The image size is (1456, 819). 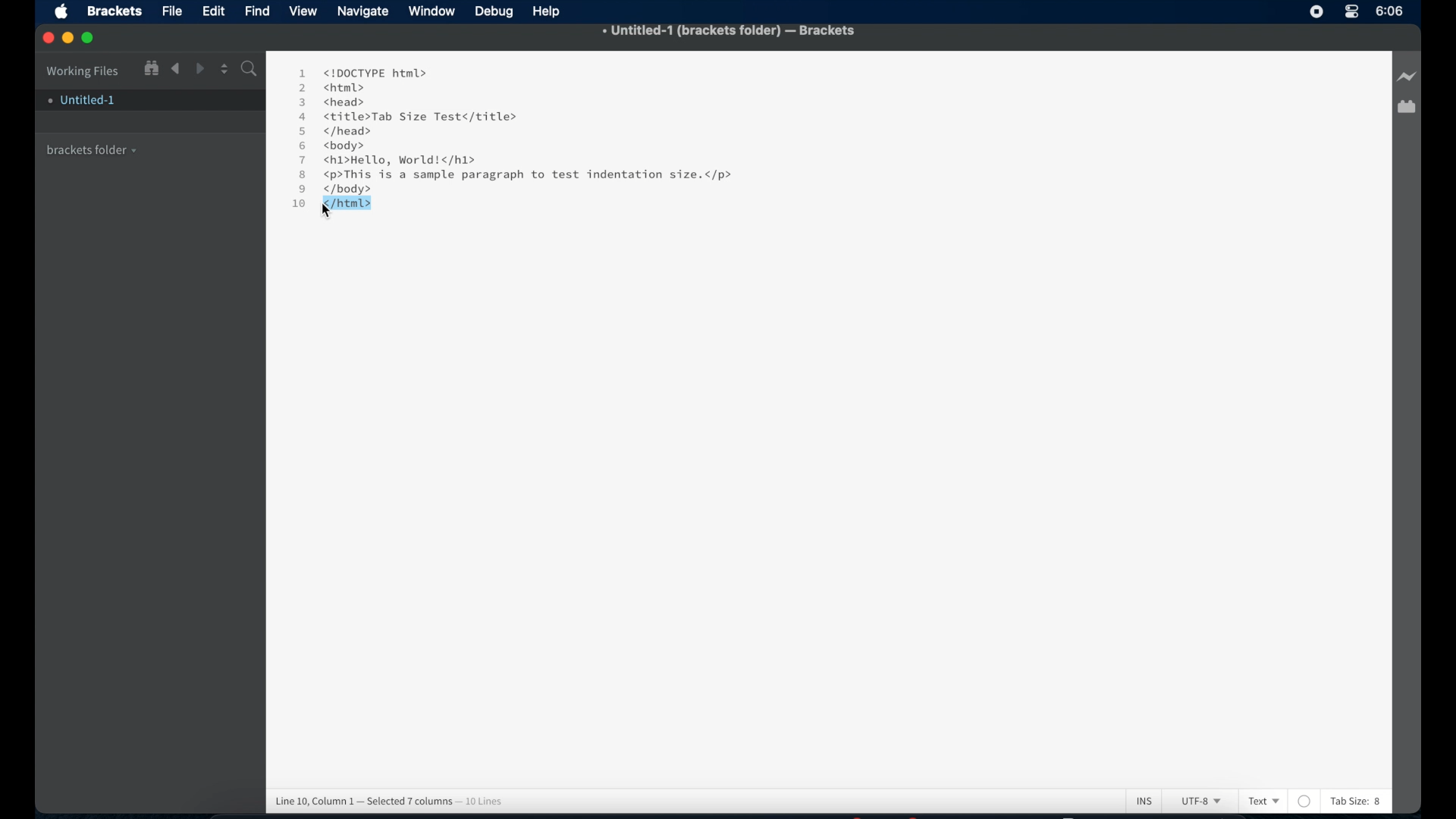 What do you see at coordinates (328, 203) in the screenshot?
I see `10 </html>` at bounding box center [328, 203].